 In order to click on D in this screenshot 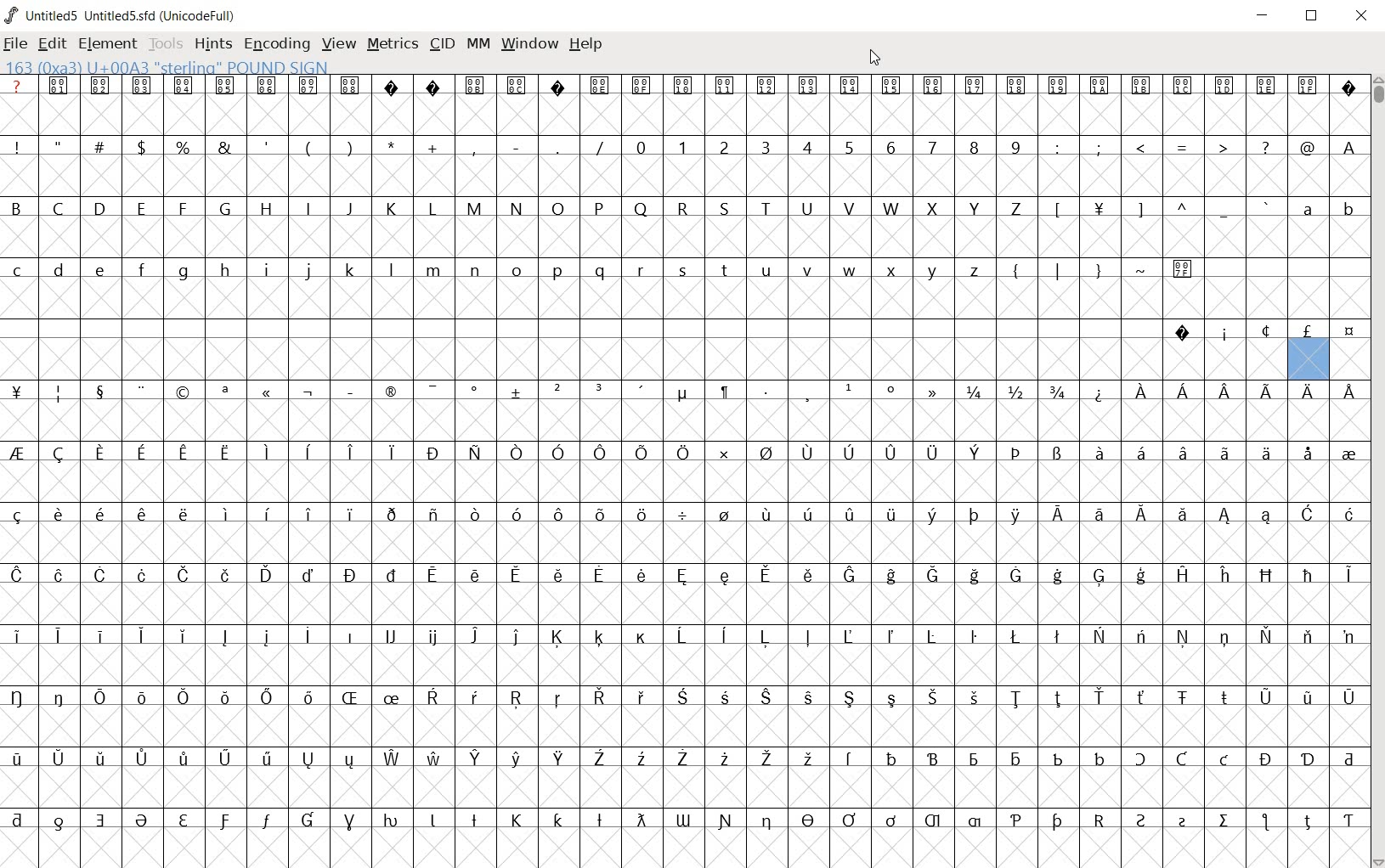, I will do `click(99, 207)`.